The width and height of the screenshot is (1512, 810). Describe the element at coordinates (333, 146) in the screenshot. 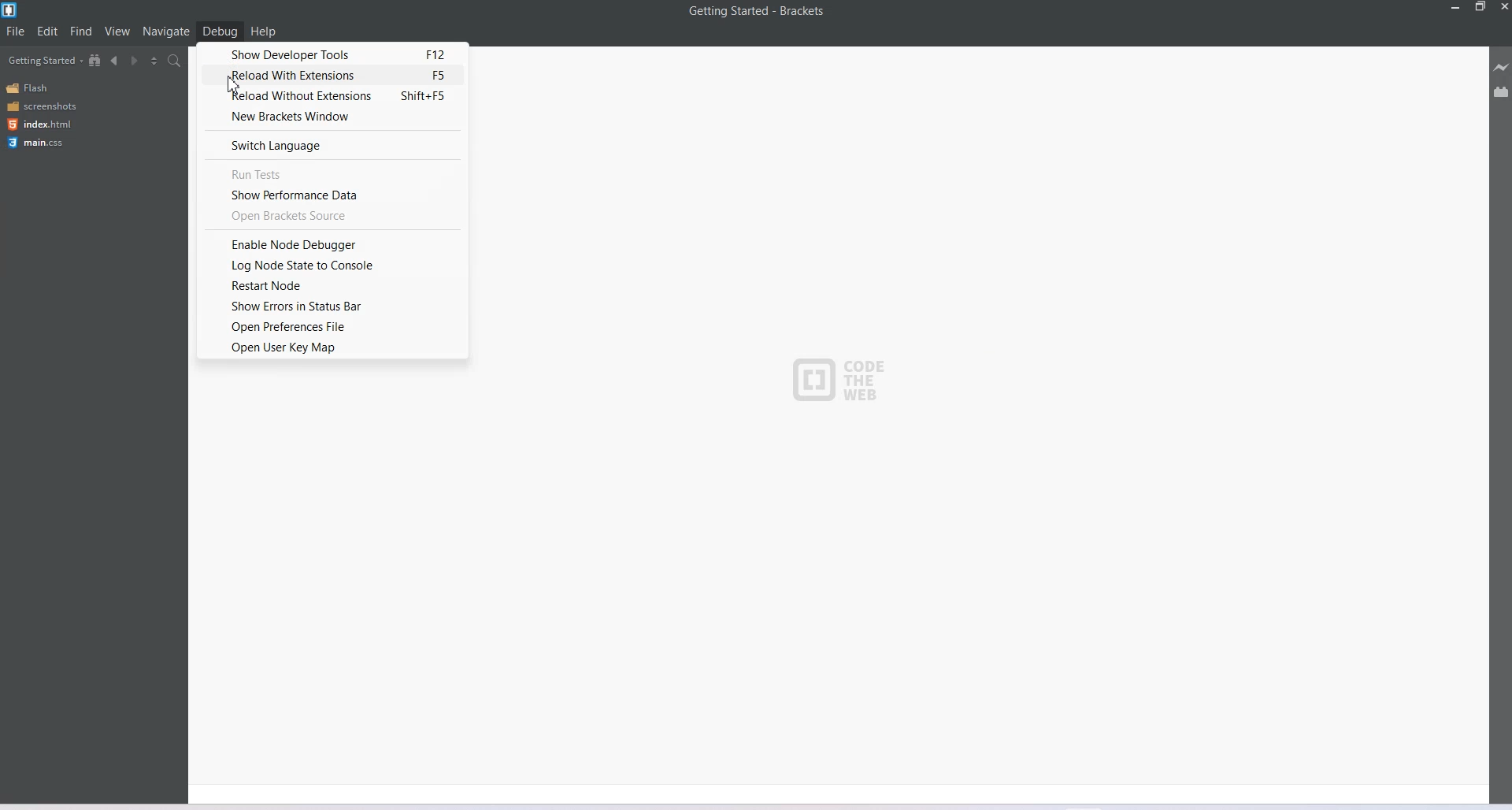

I see `Switch language` at that location.